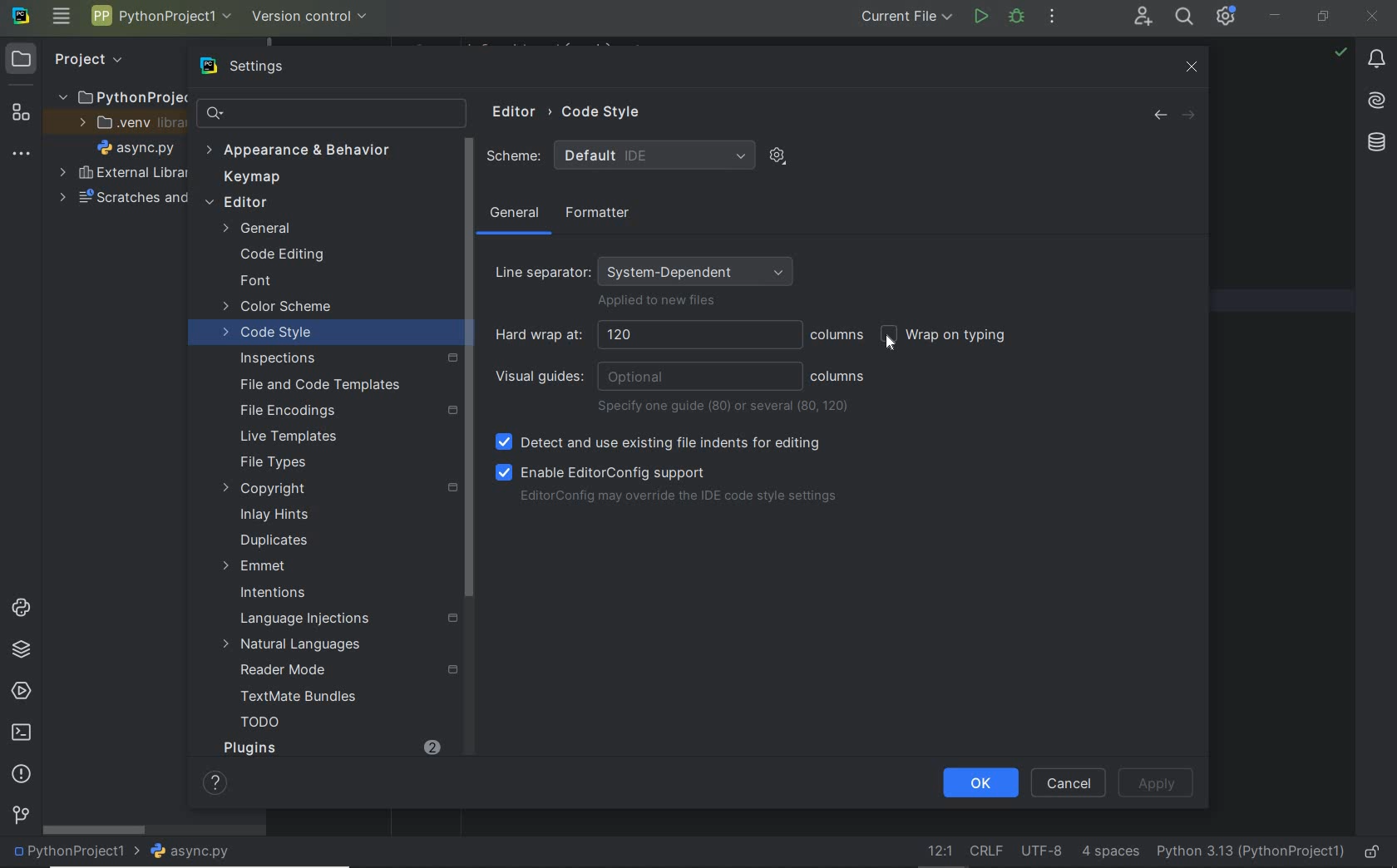 This screenshot has width=1397, height=868. Describe the element at coordinates (468, 370) in the screenshot. I see `Scroll Bar` at that location.